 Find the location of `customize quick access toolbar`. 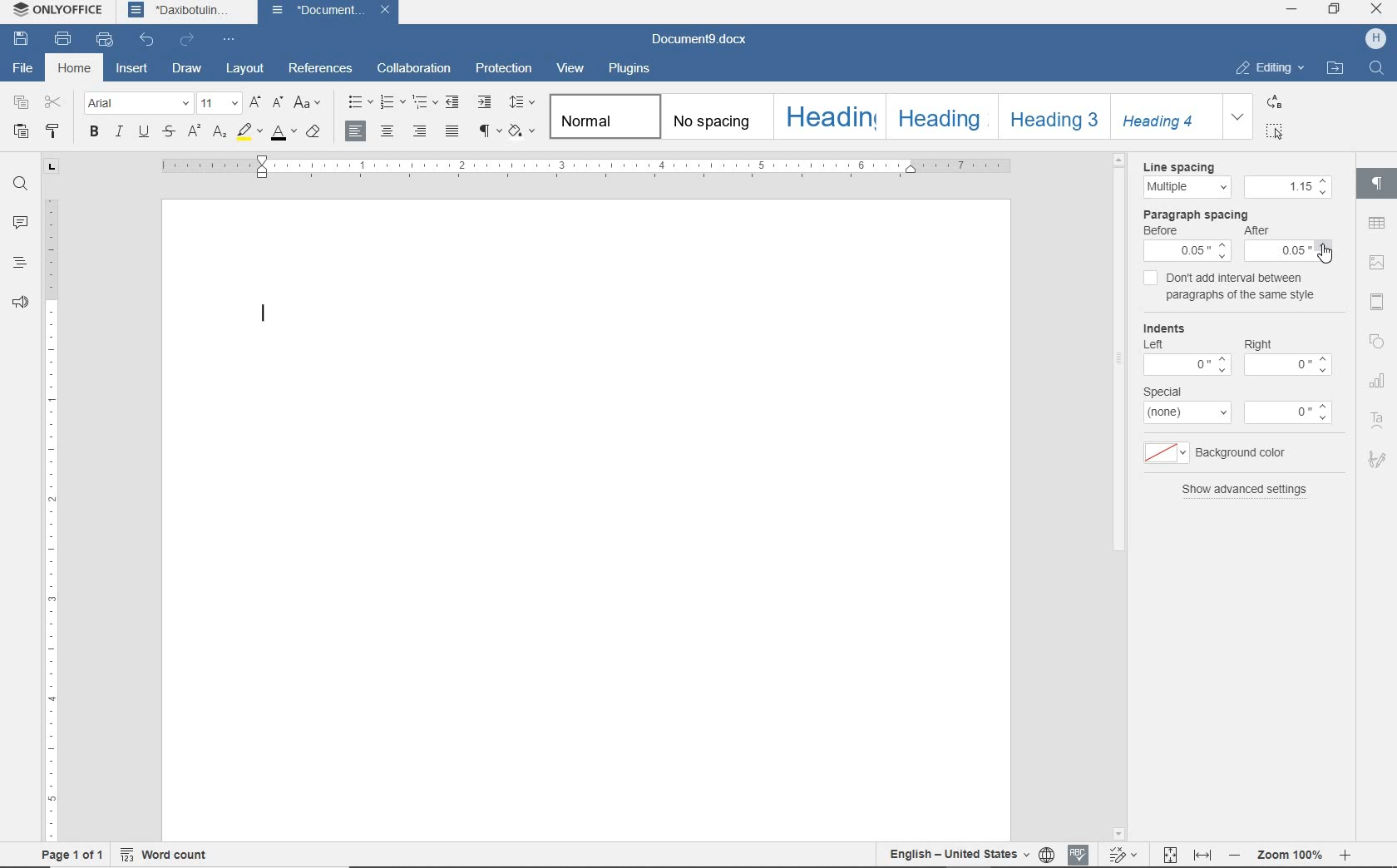

customize quick access toolbar is located at coordinates (230, 40).